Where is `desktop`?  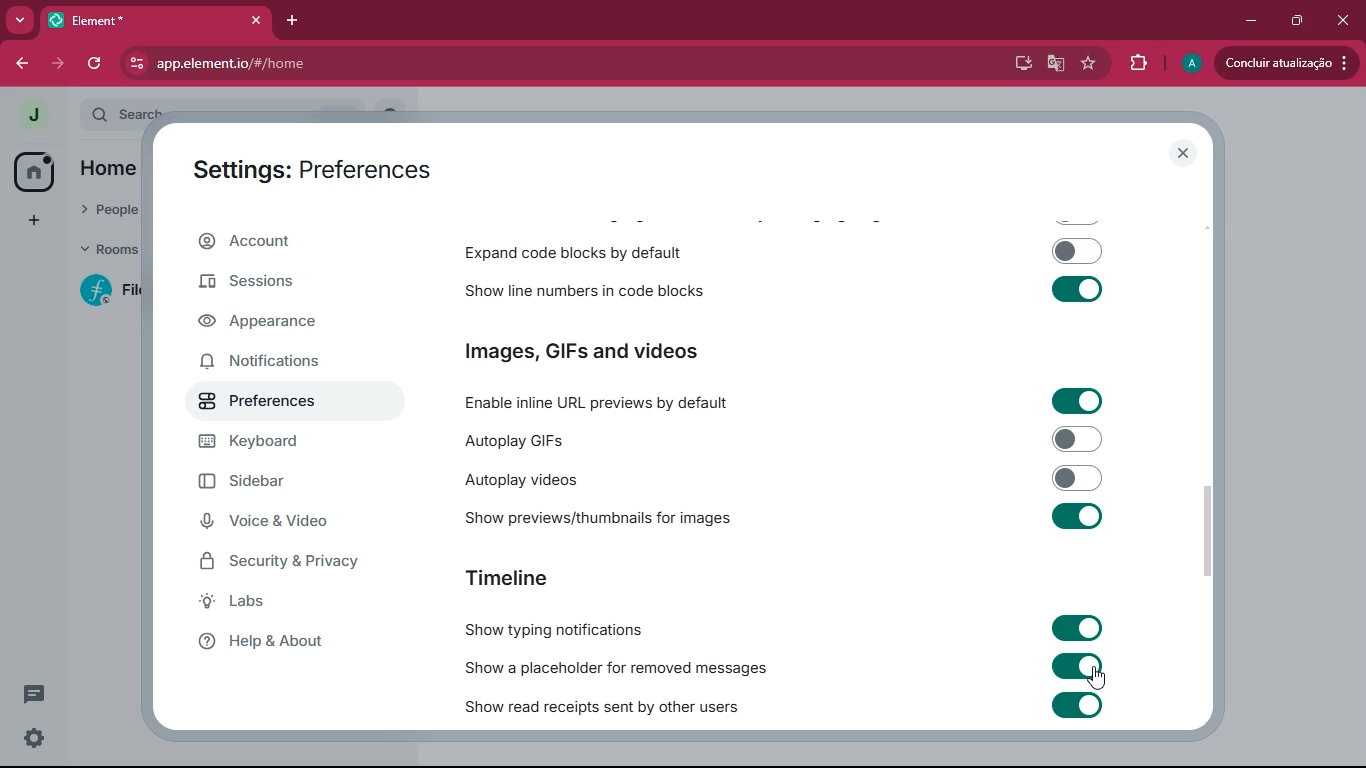
desktop is located at coordinates (1019, 64).